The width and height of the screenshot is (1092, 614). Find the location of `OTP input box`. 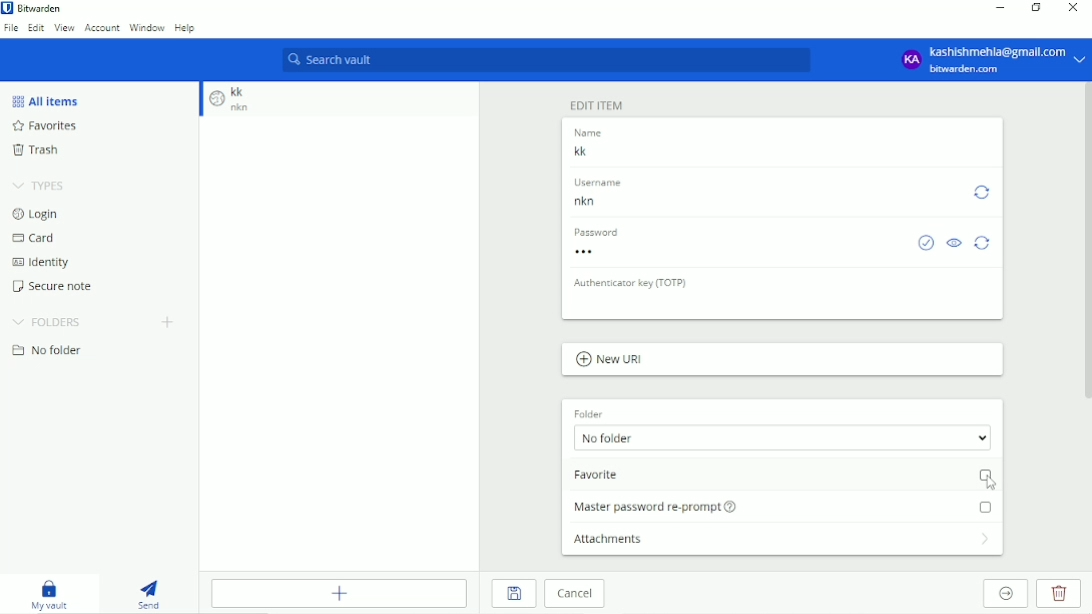

OTP input box is located at coordinates (759, 307).